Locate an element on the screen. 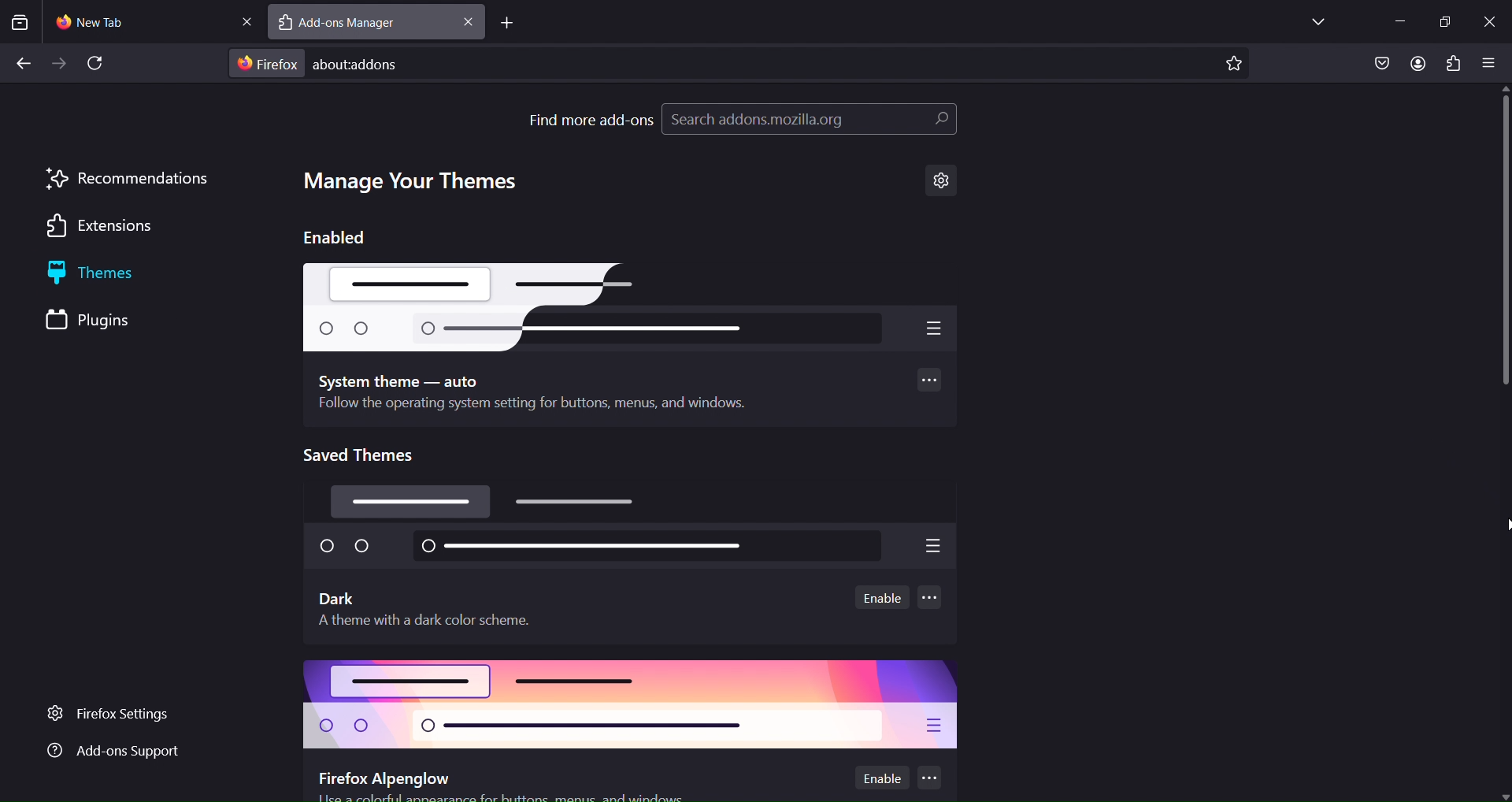 The width and height of the screenshot is (1512, 802). extensions is located at coordinates (108, 228).